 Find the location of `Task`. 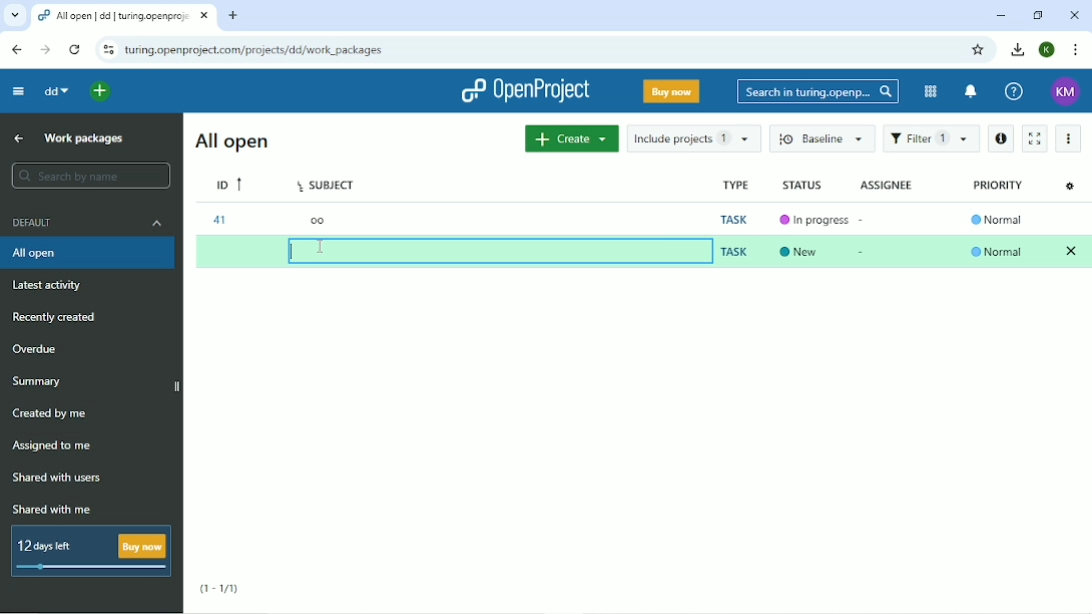

Task is located at coordinates (732, 218).